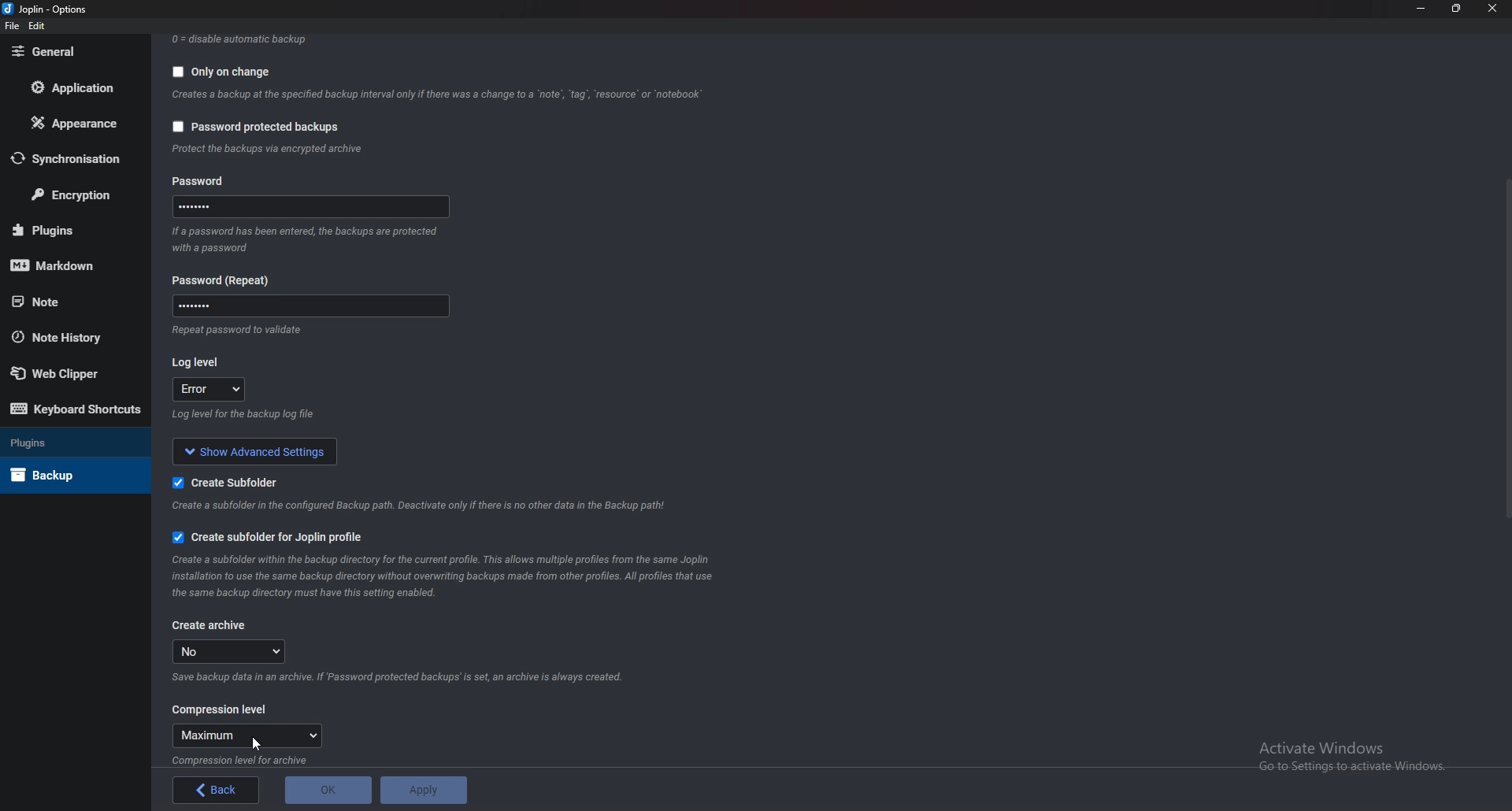 The height and width of the screenshot is (811, 1512). Describe the element at coordinates (73, 52) in the screenshot. I see `General` at that location.